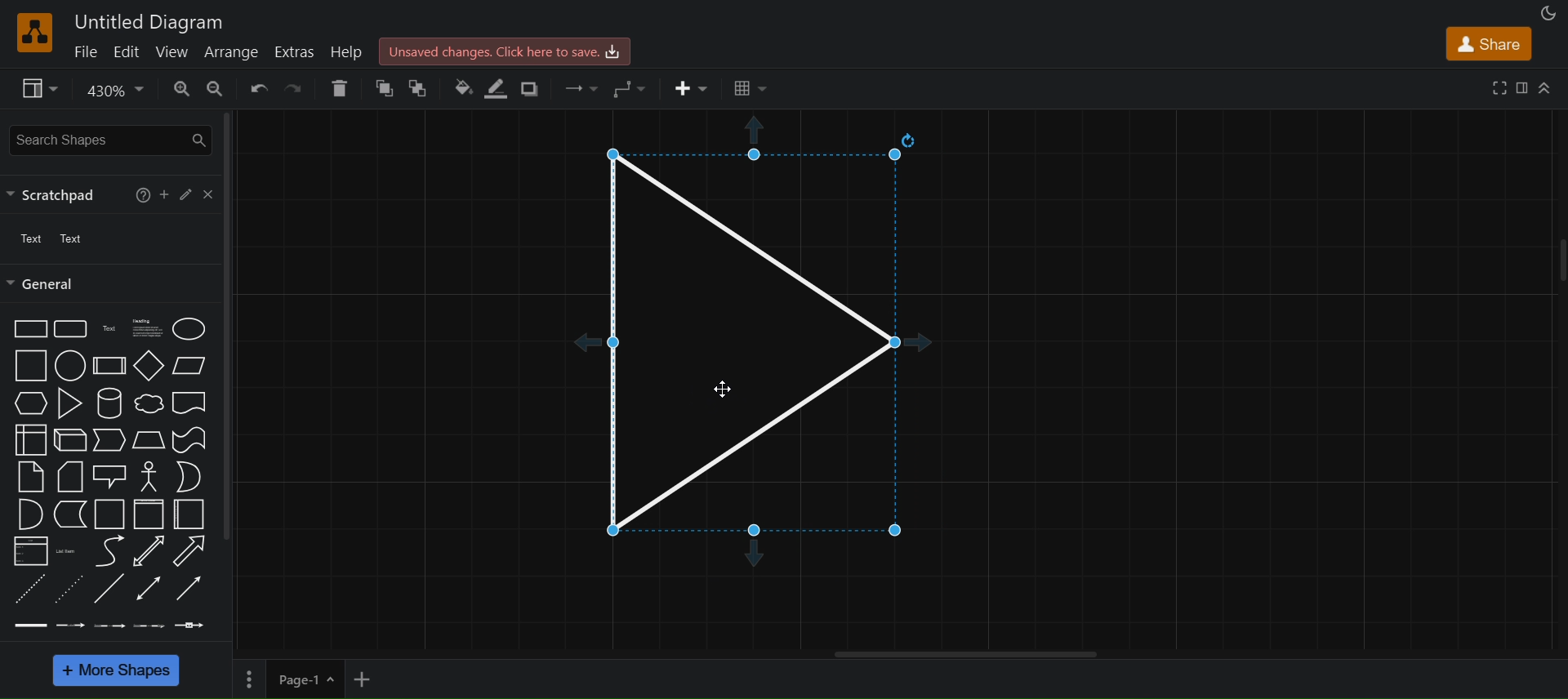 The width and height of the screenshot is (1568, 699). What do you see at coordinates (581, 85) in the screenshot?
I see `connection` at bounding box center [581, 85].